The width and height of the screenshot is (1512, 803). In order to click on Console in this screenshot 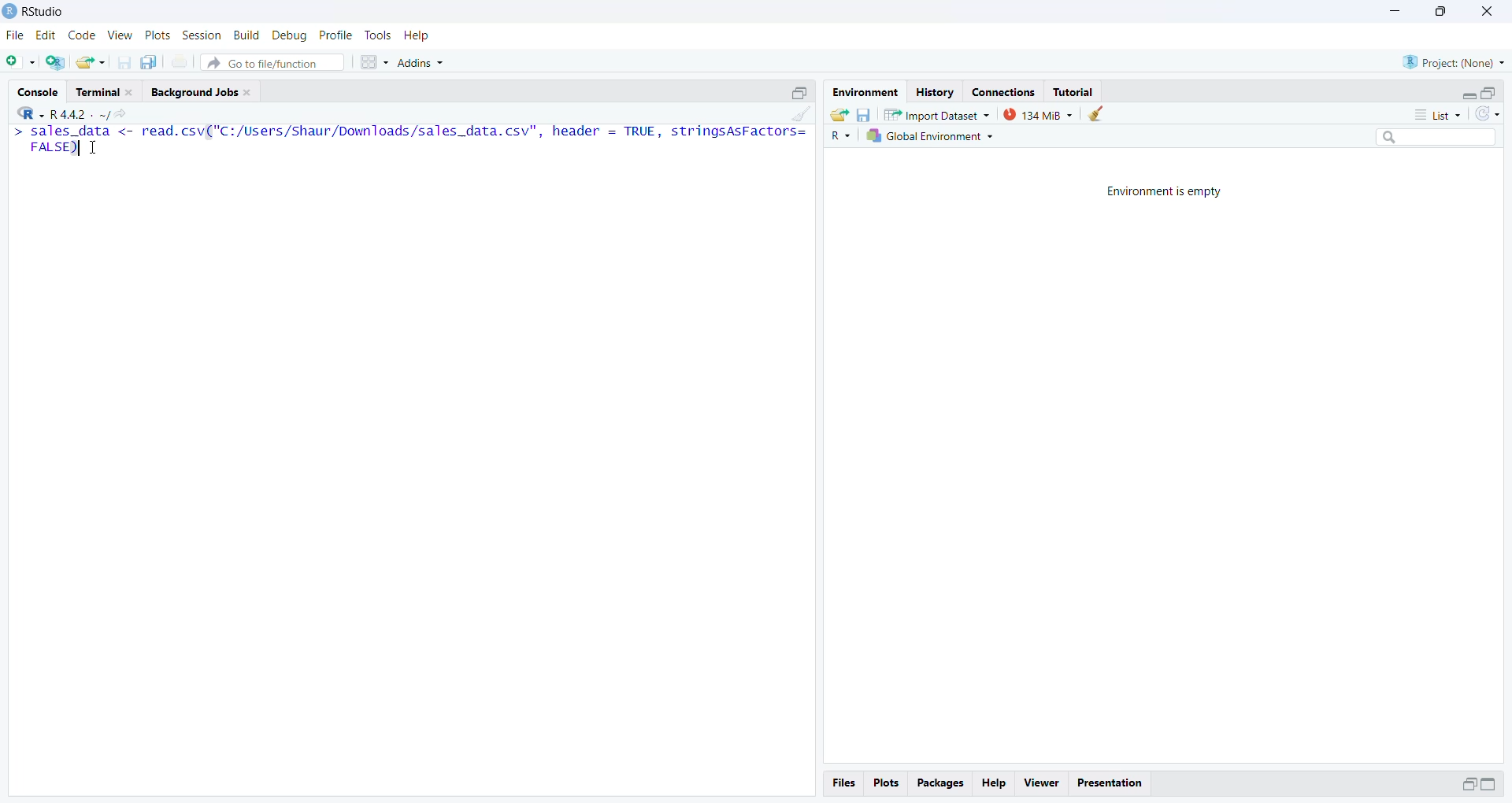, I will do `click(38, 91)`.